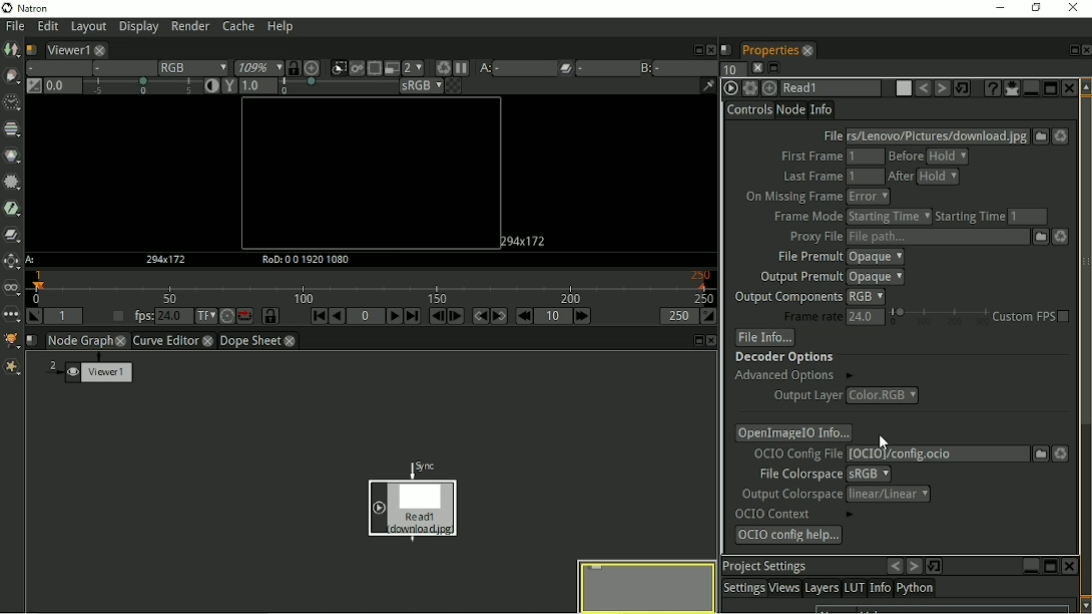 The width and height of the screenshot is (1092, 614). I want to click on Enables the region of interest that limit the portion of the viewer, so click(370, 67).